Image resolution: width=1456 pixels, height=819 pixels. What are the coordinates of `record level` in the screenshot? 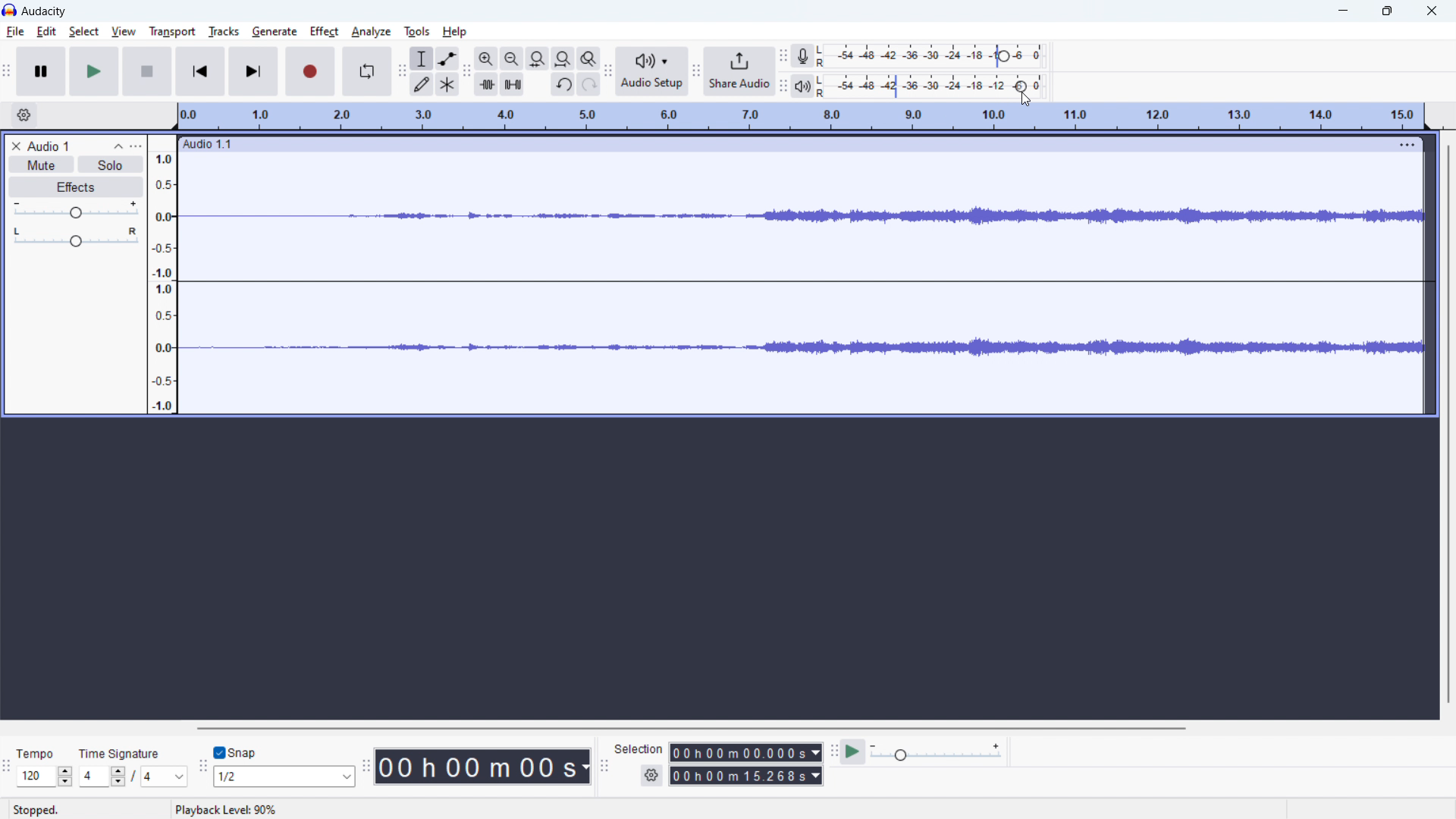 It's located at (930, 56).